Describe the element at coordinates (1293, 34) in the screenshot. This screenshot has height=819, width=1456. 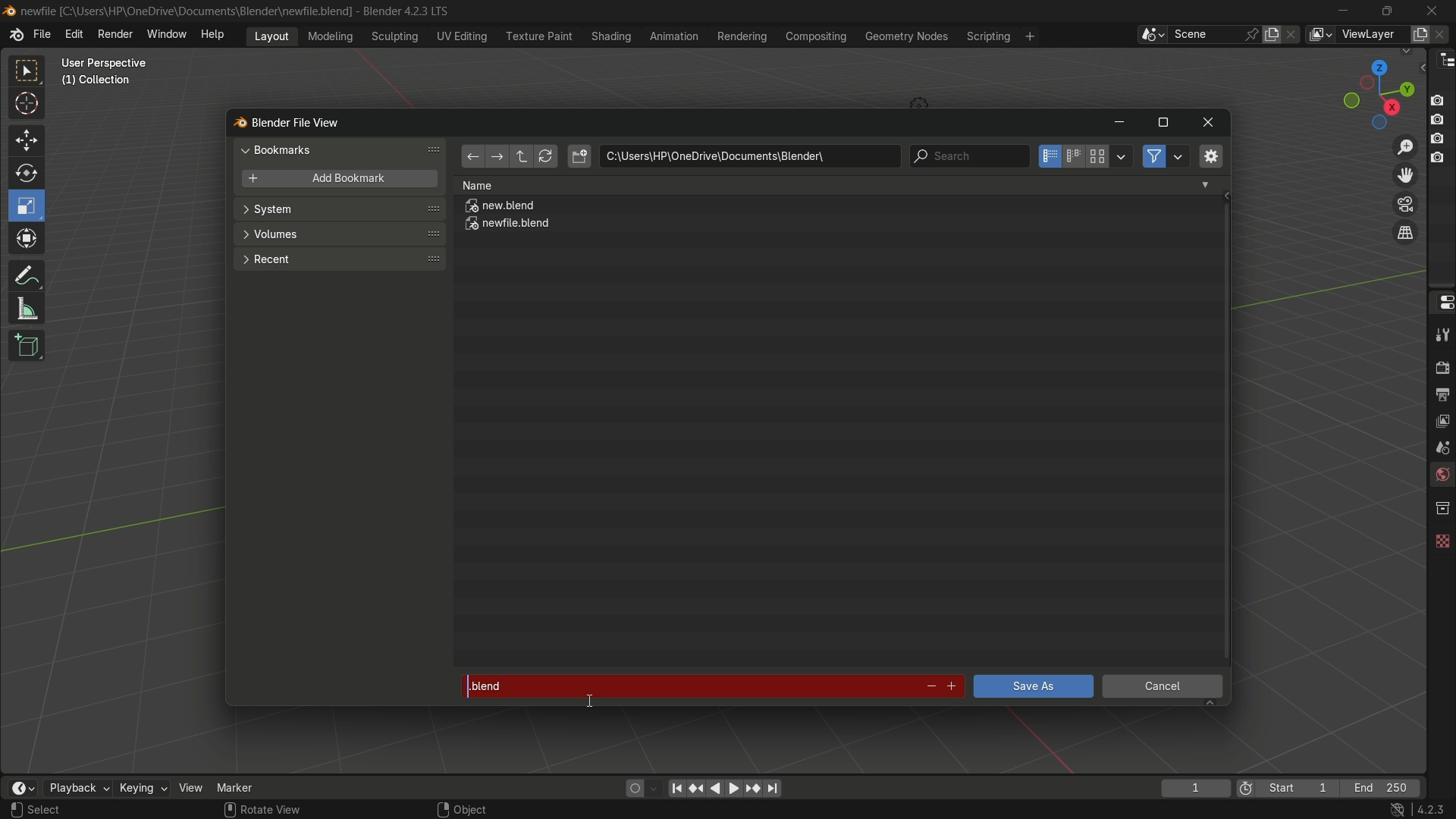
I see `delete scene` at that location.